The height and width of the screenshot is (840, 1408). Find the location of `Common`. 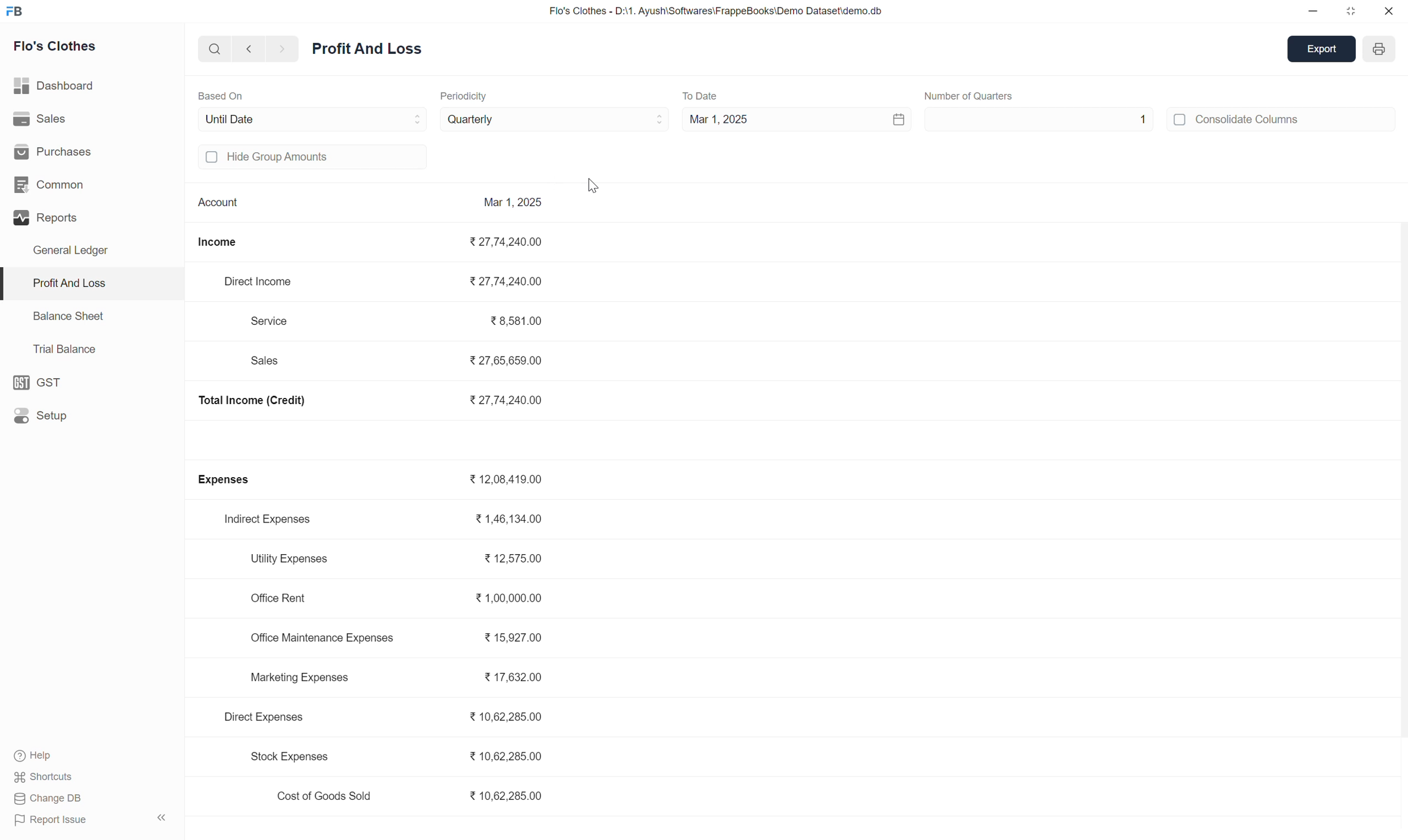

Common is located at coordinates (56, 186).